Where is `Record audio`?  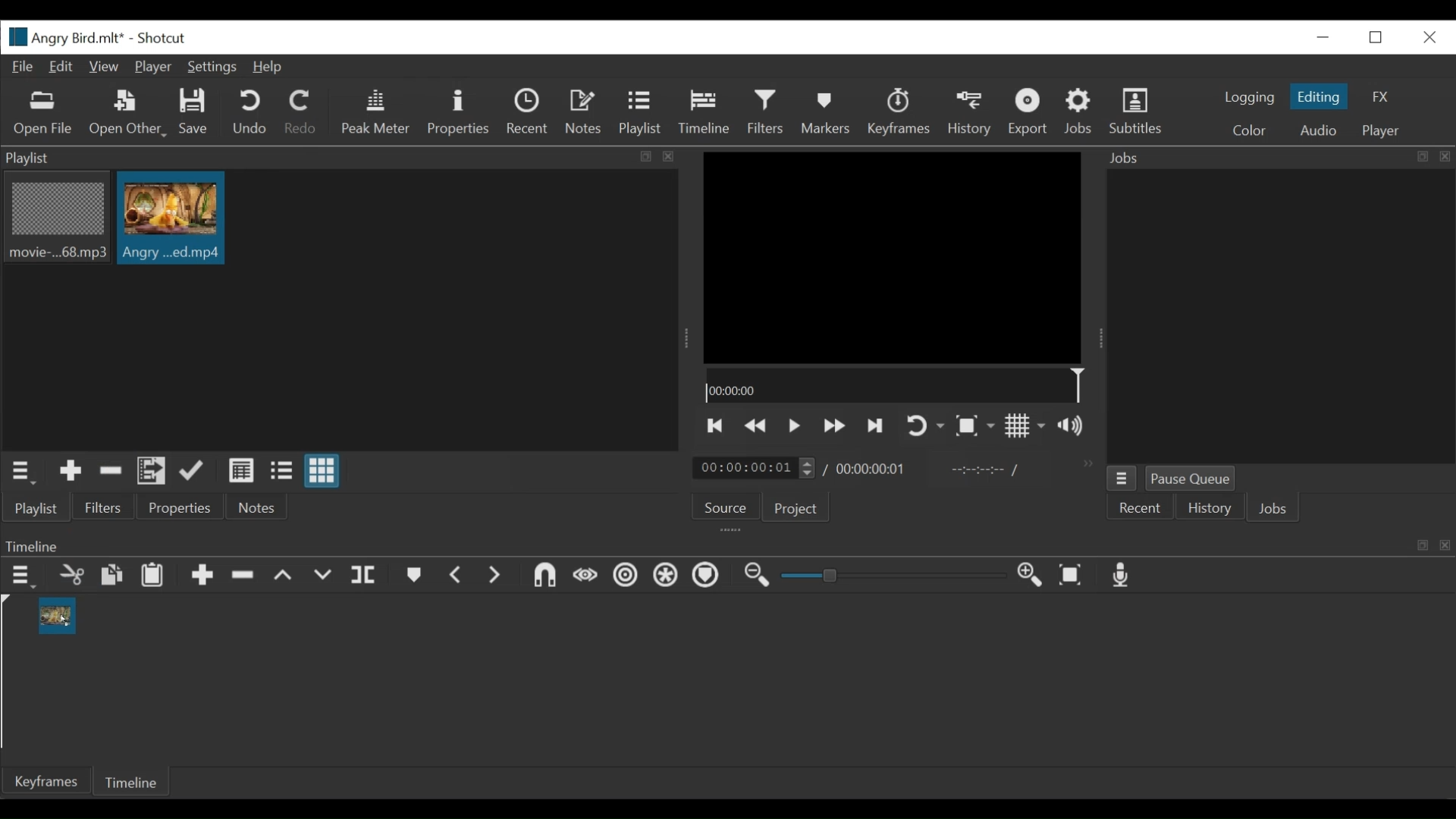
Record audio is located at coordinates (1123, 576).